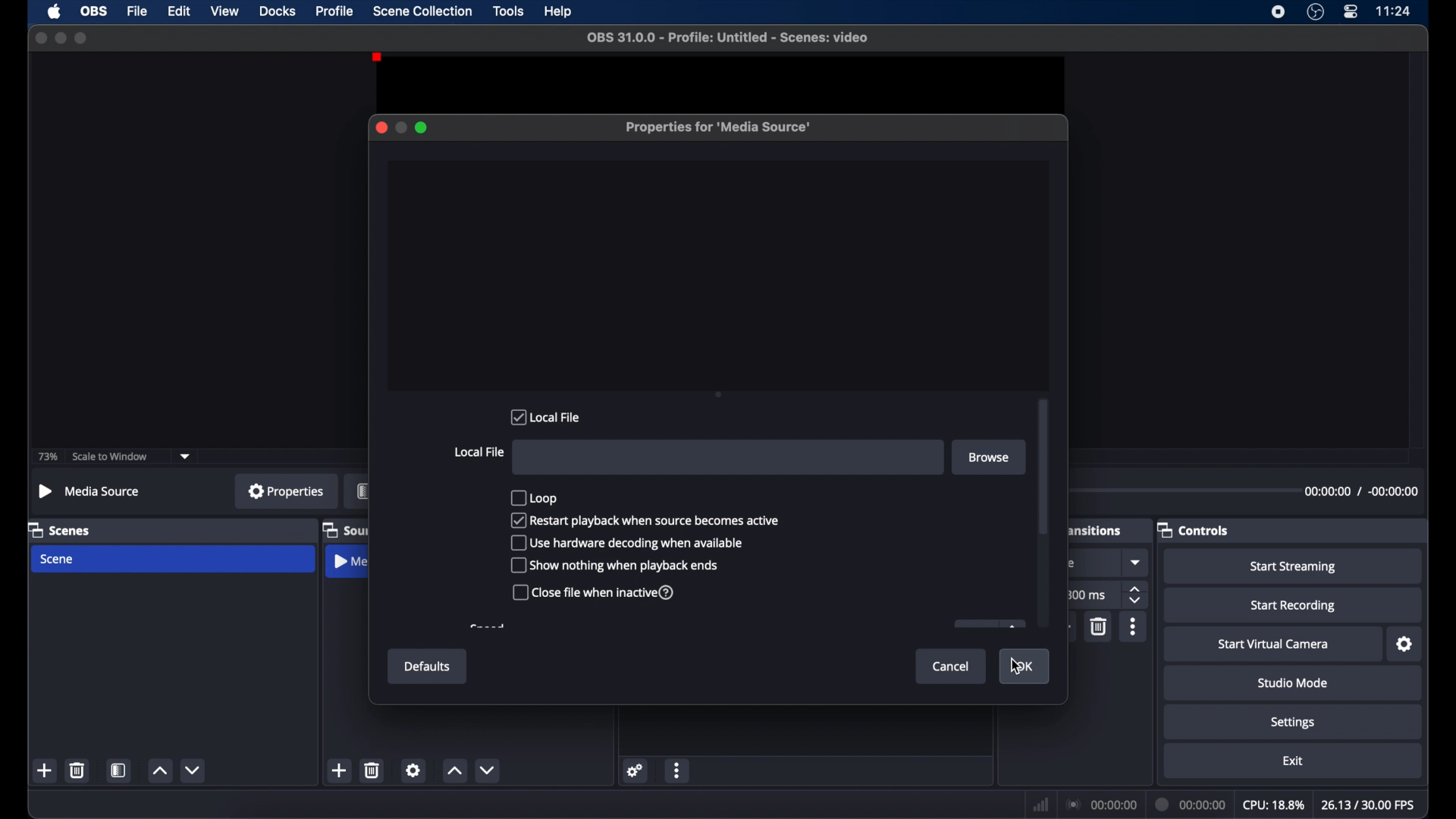 This screenshot has height=819, width=1456. Describe the element at coordinates (727, 38) in the screenshot. I see `file name` at that location.